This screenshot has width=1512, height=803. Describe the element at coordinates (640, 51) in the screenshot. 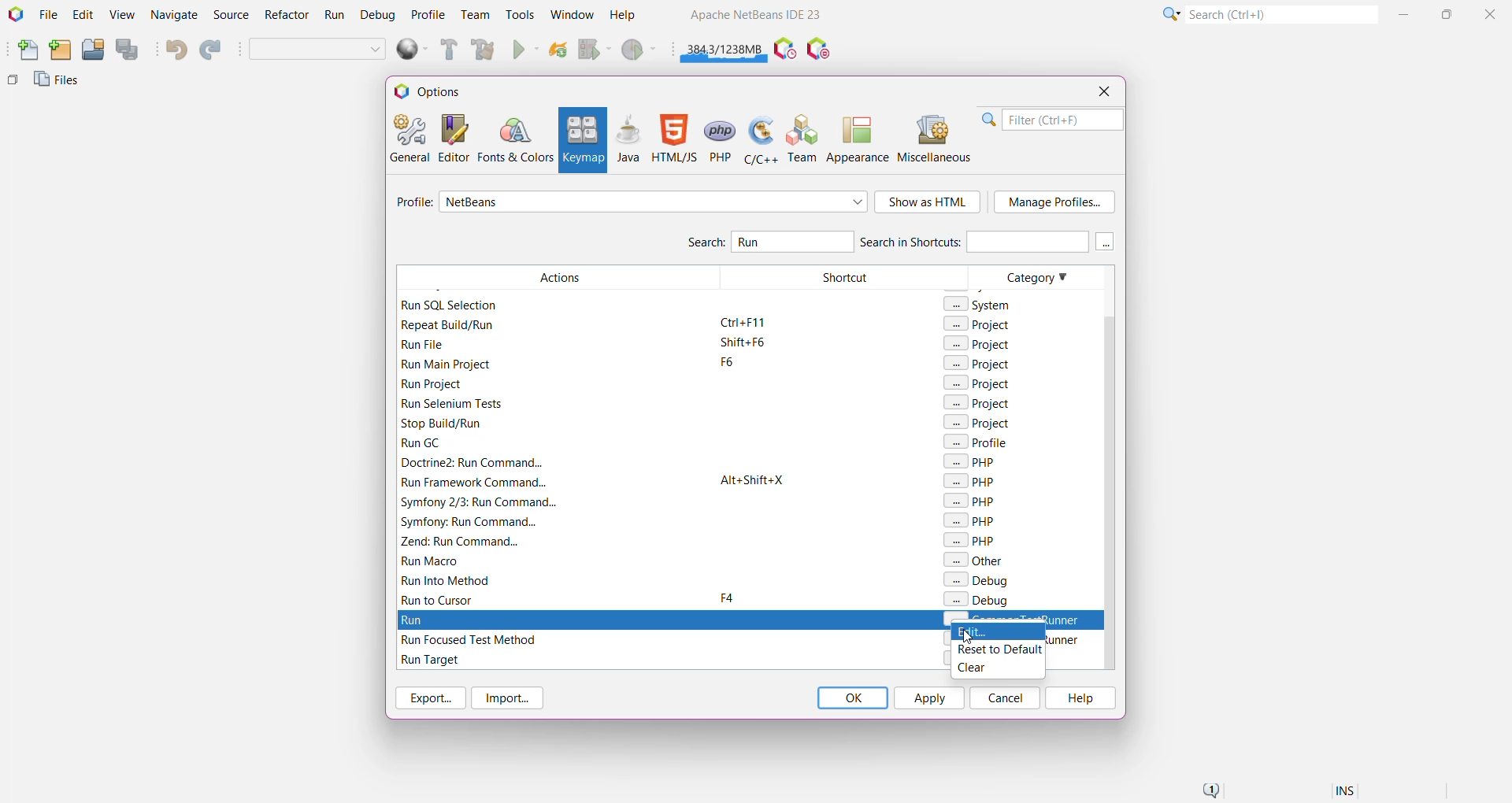

I see `Profile Main project` at that location.